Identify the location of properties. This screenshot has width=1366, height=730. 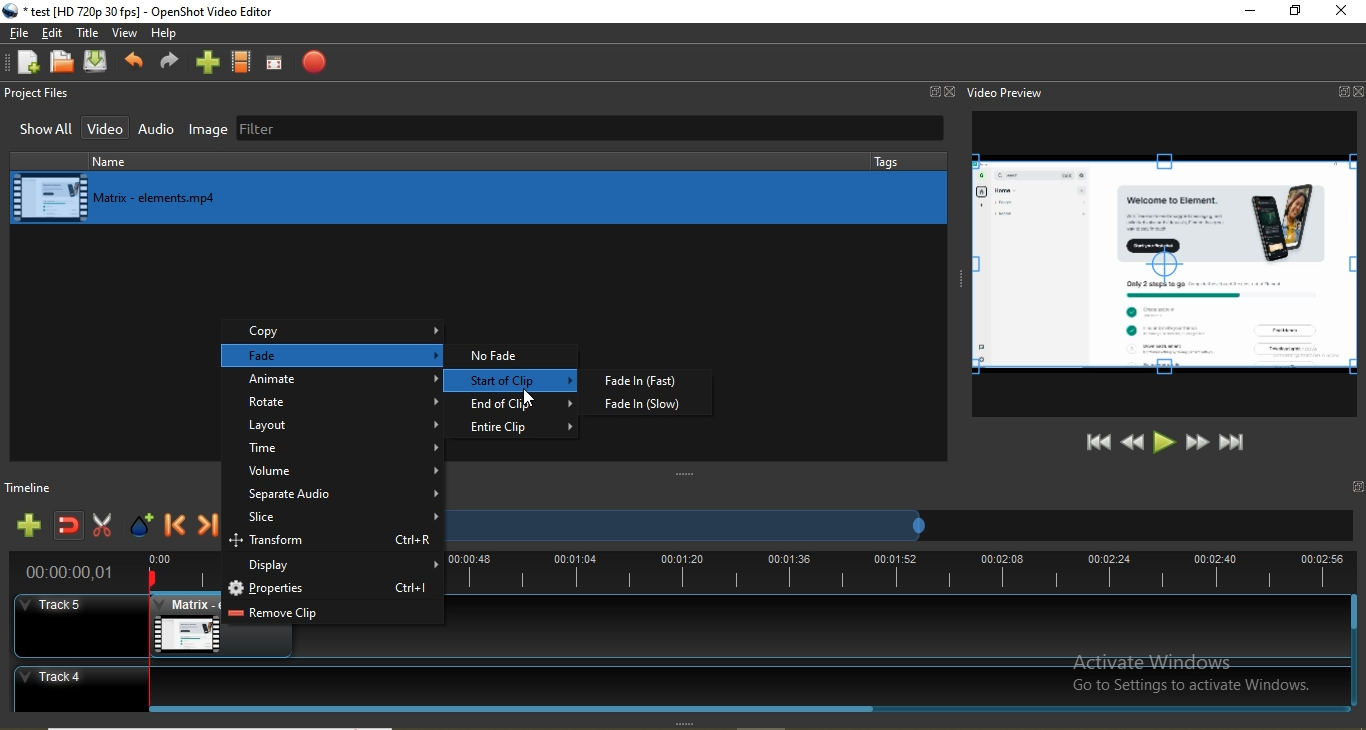
(330, 590).